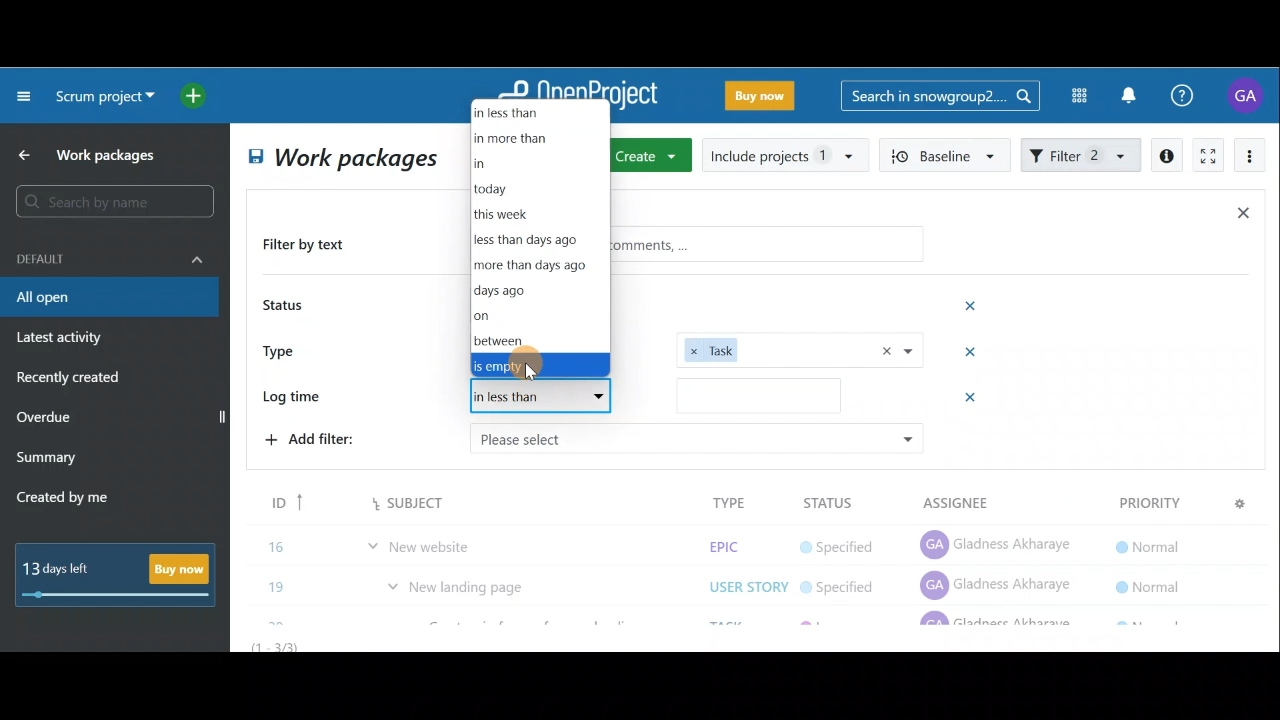  Describe the element at coordinates (506, 339) in the screenshot. I see `between` at that location.